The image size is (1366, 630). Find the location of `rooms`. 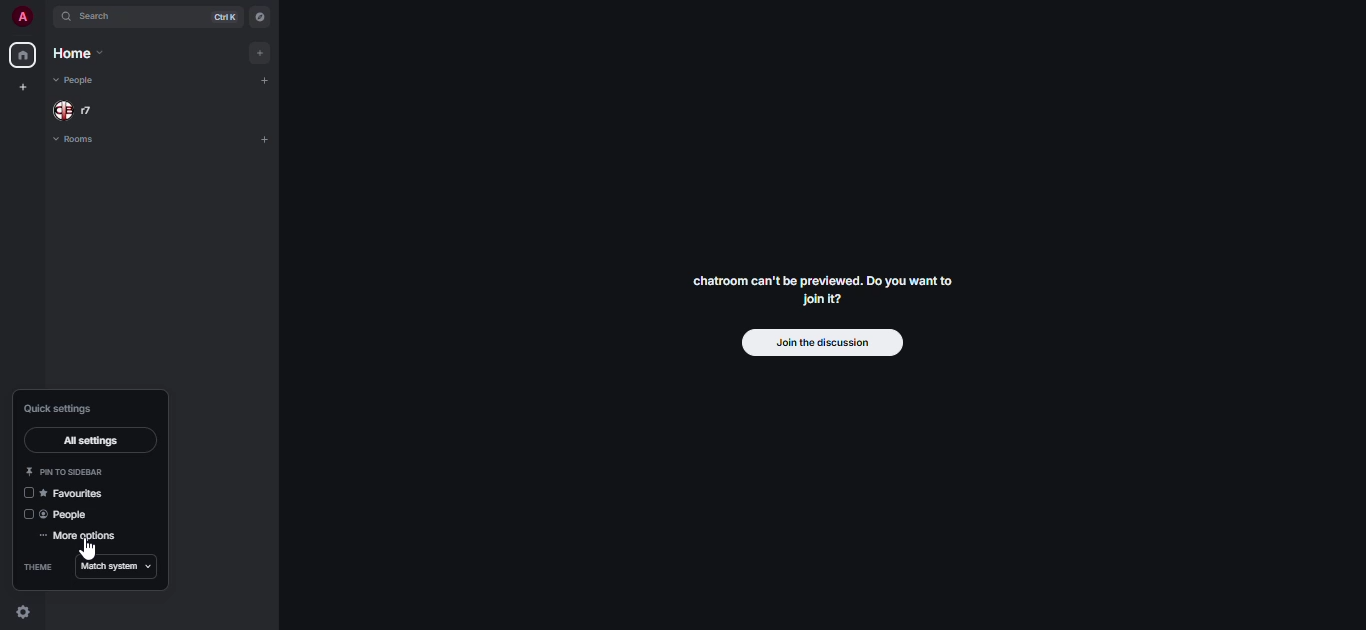

rooms is located at coordinates (79, 141).